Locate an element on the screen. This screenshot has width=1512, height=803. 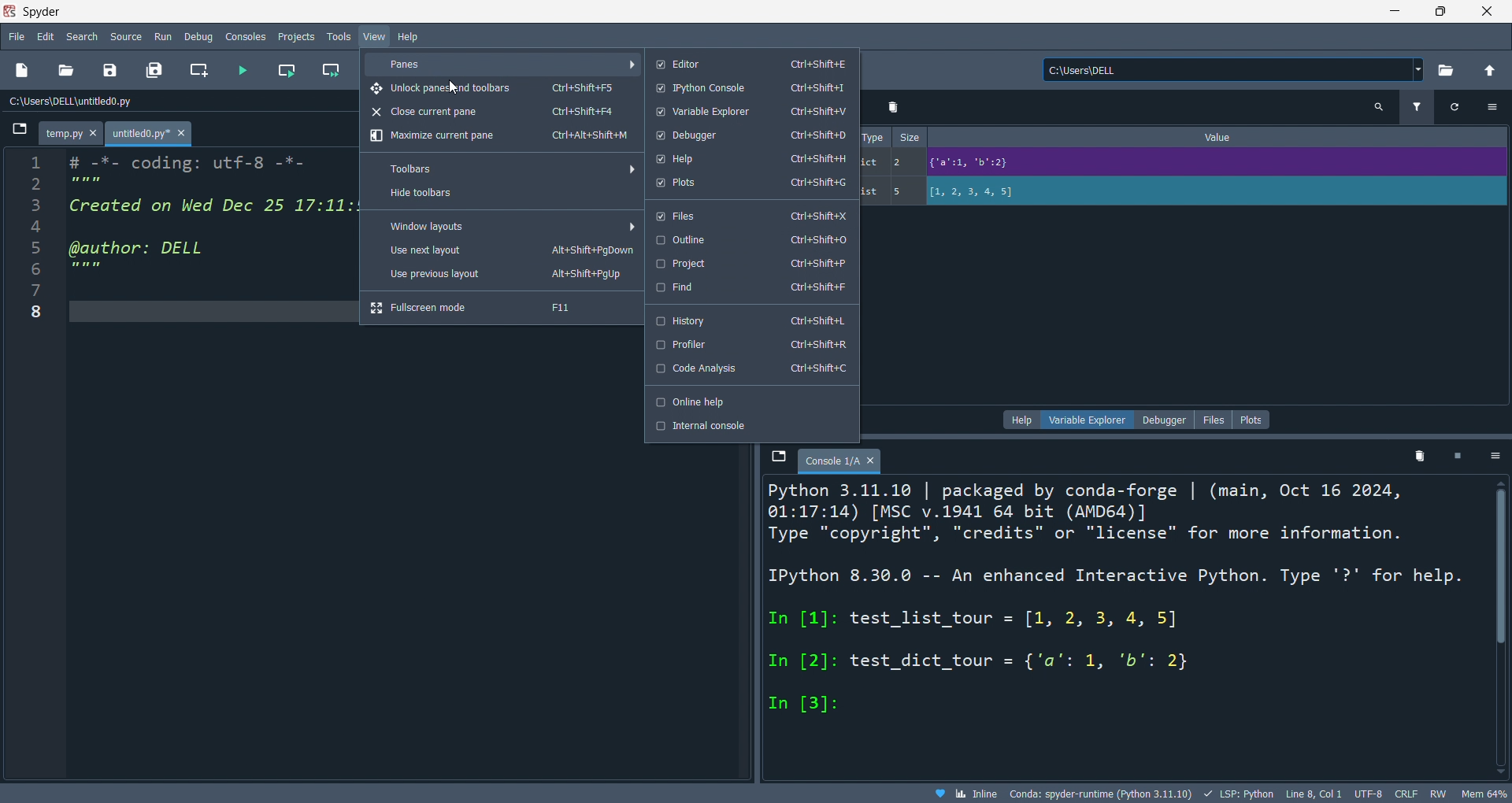
ipython console pane is located at coordinates (1118, 626).